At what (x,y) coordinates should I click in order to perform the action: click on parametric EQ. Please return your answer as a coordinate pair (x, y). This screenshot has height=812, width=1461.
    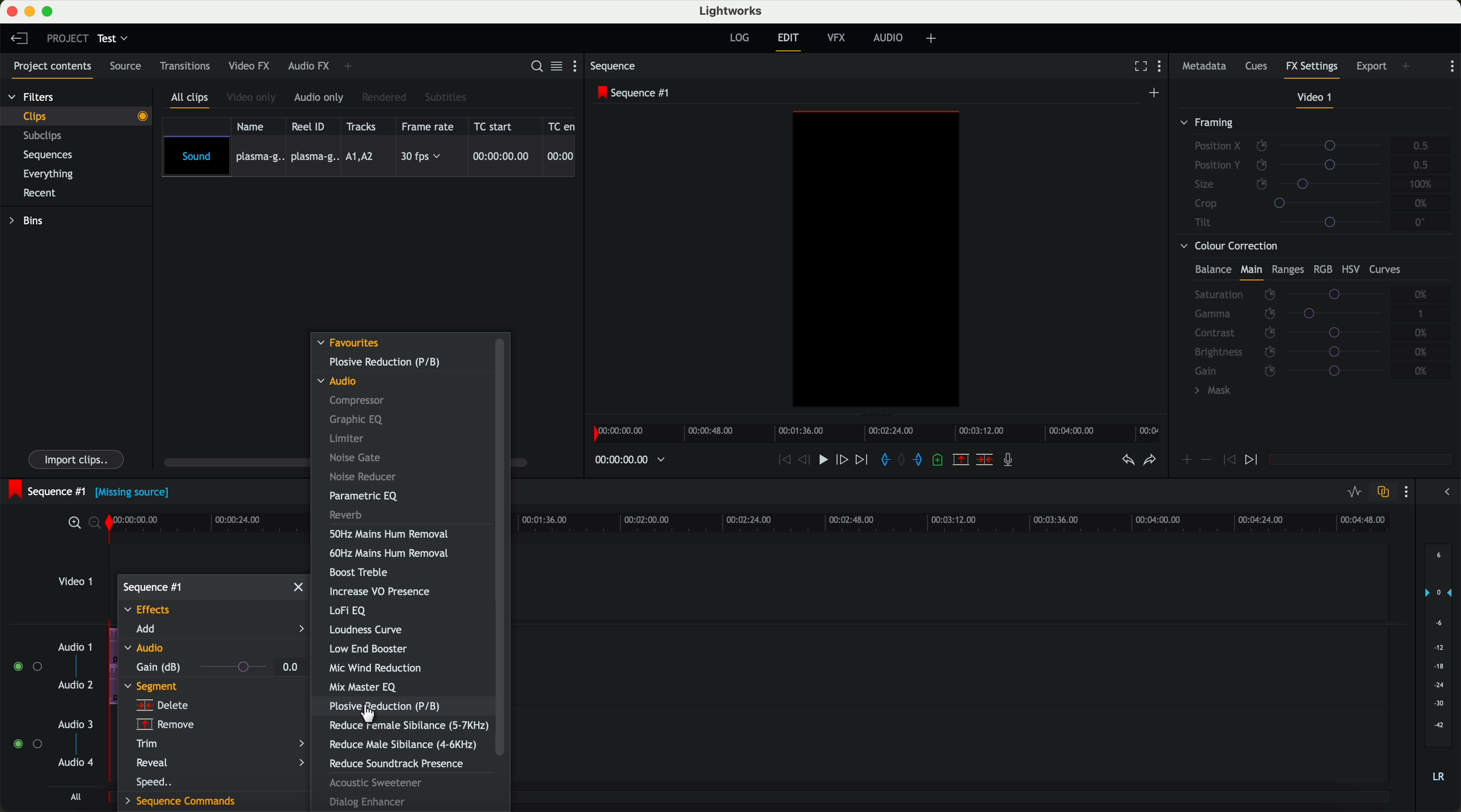
    Looking at the image, I should click on (364, 496).